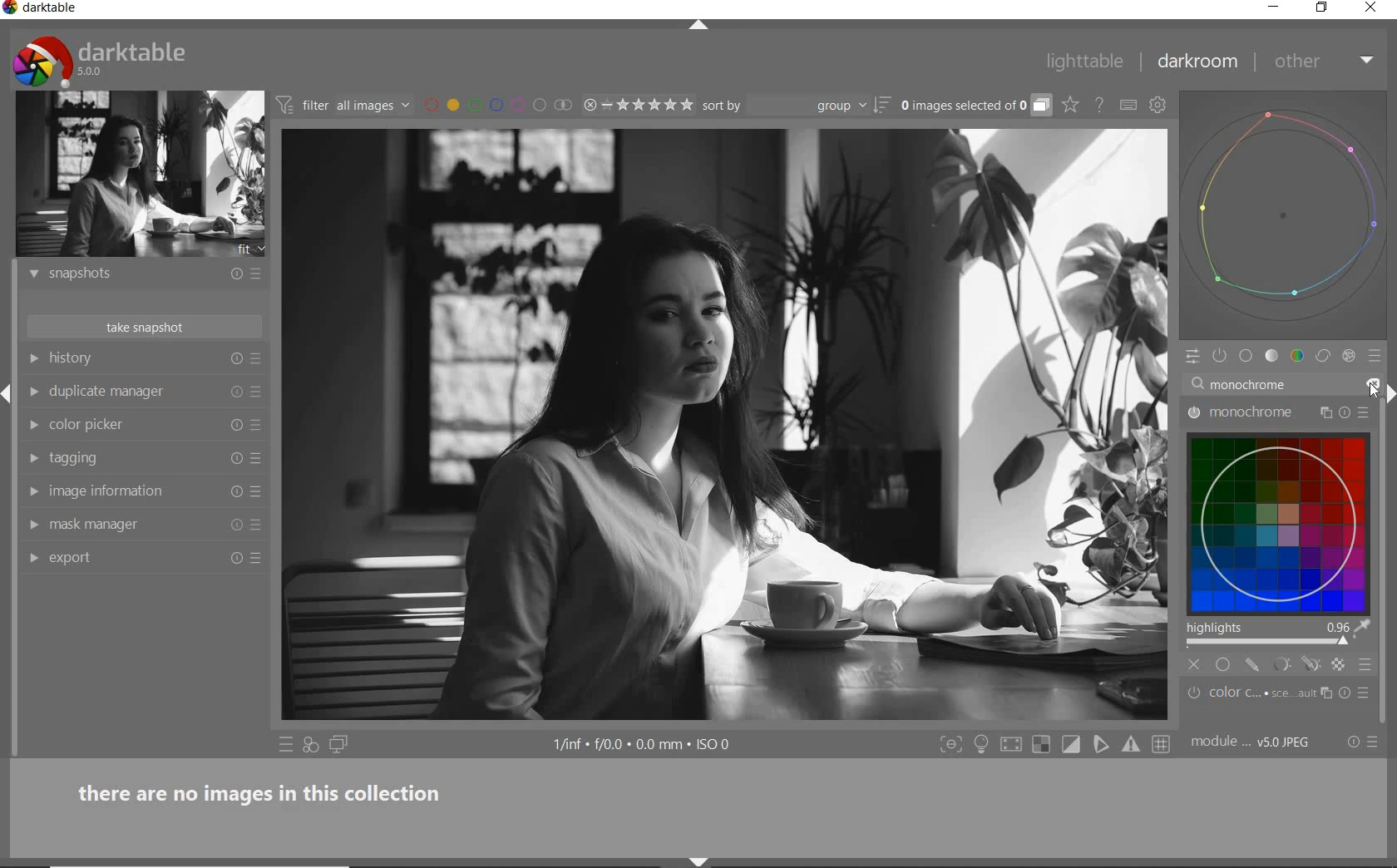 The height and width of the screenshot is (868, 1397). I want to click on tone, so click(1272, 358).